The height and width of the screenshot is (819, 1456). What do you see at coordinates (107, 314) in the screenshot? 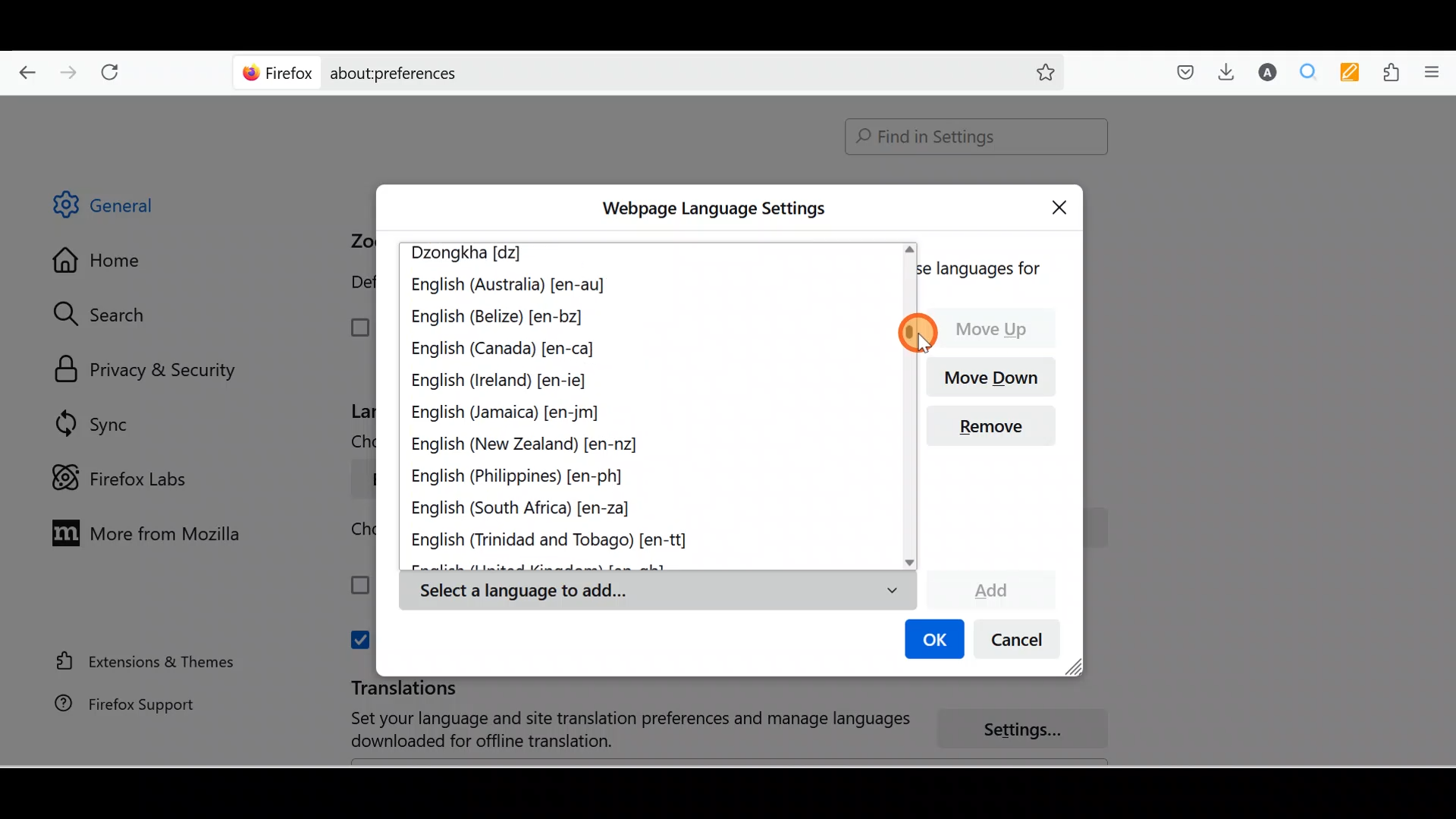
I see `Search` at bounding box center [107, 314].